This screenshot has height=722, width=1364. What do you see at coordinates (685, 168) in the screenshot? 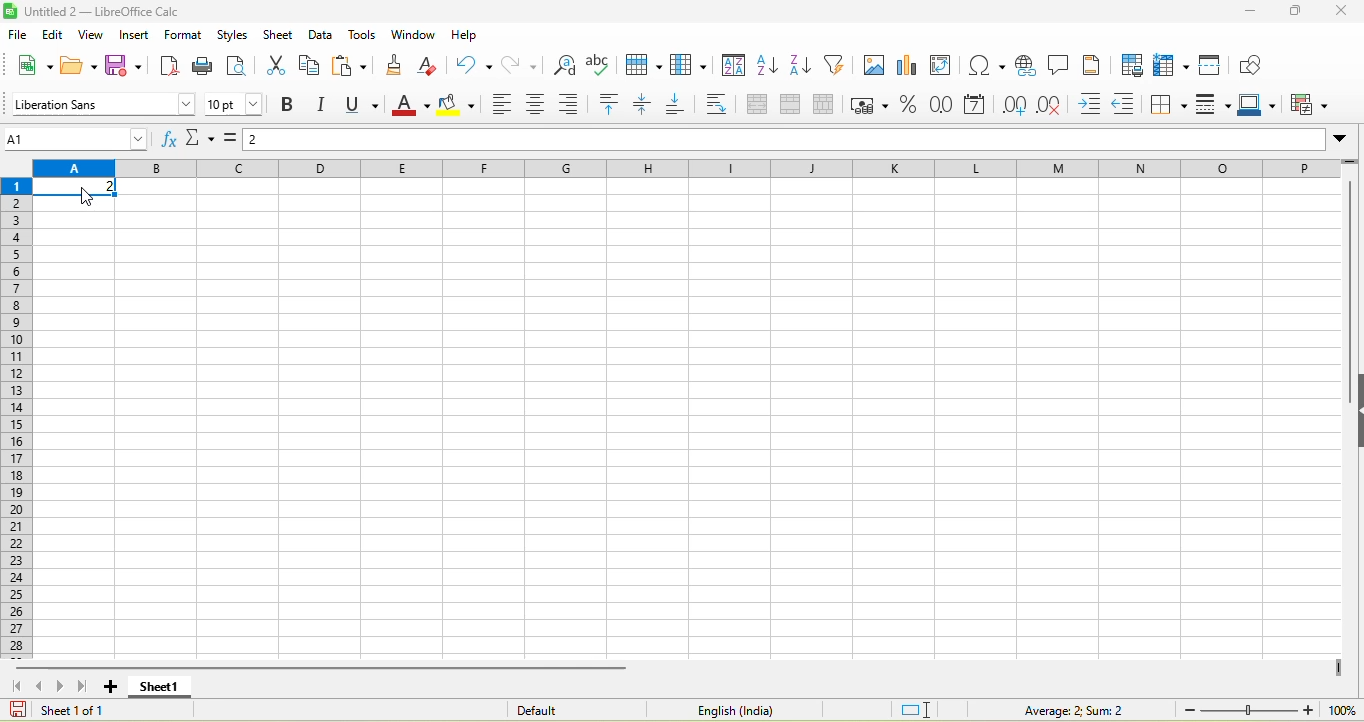
I see `column headings` at bounding box center [685, 168].